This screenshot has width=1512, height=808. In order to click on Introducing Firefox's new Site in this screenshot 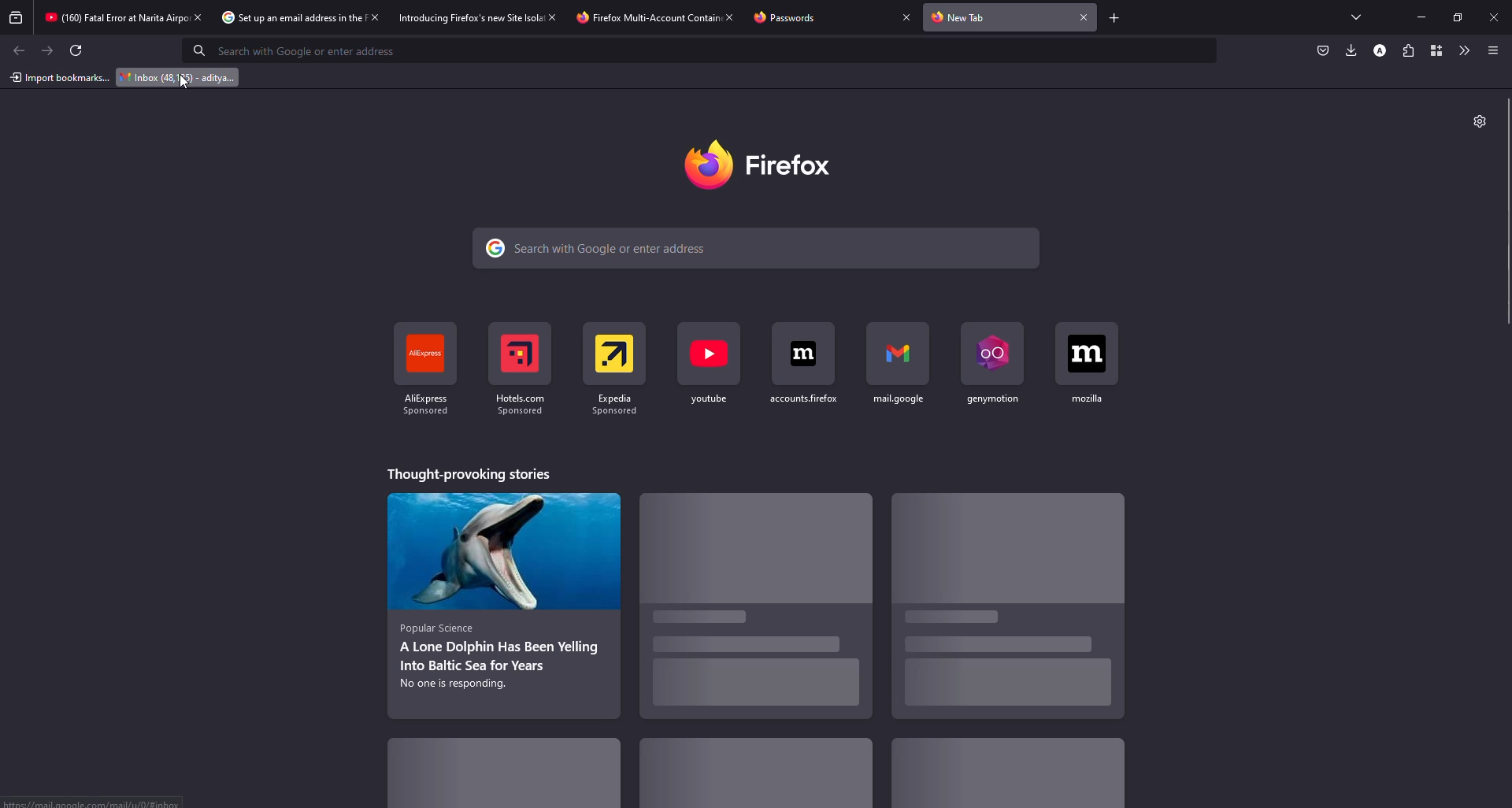, I will do `click(458, 18)`.